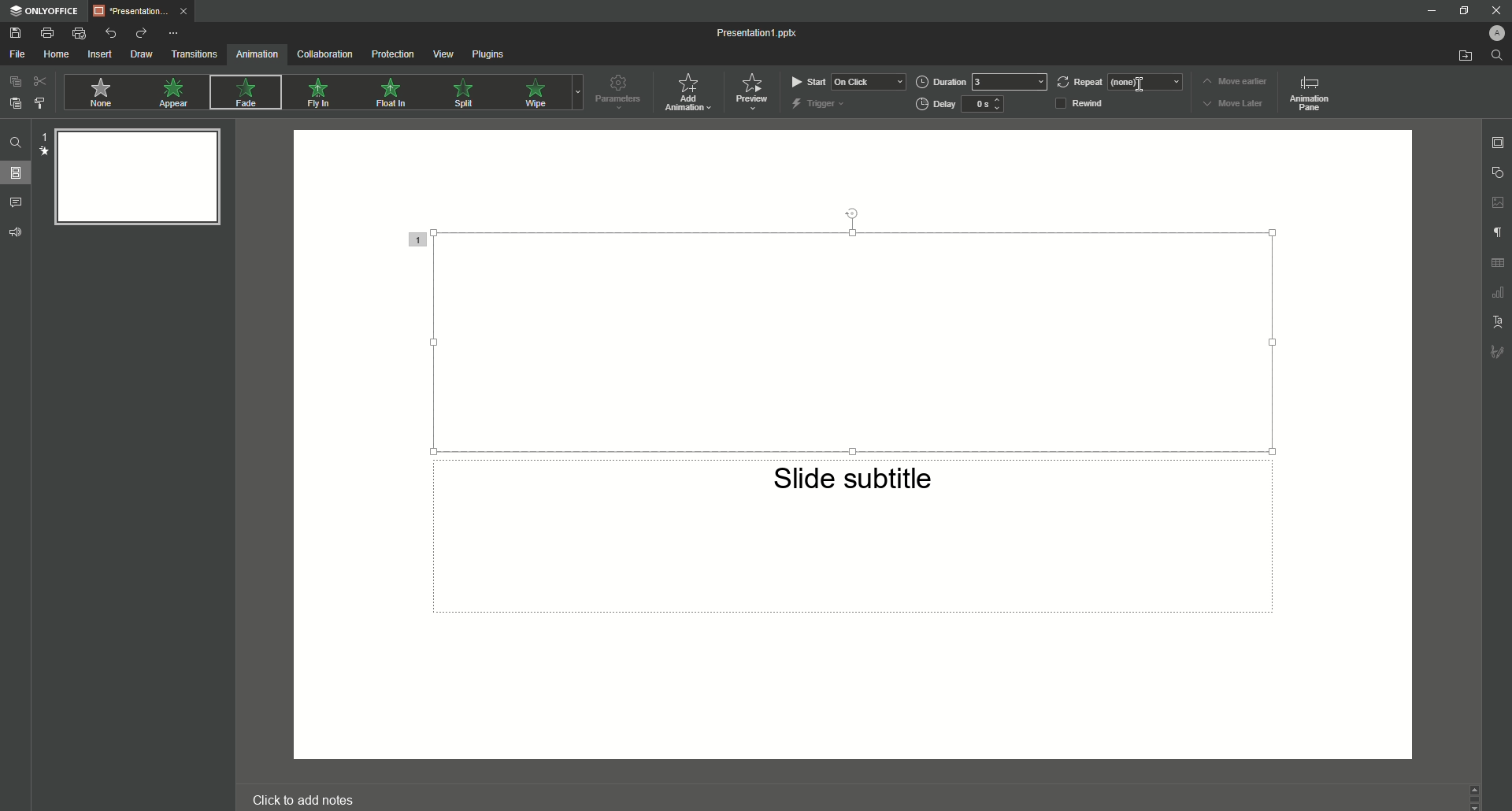 The image size is (1512, 811). What do you see at coordinates (1497, 142) in the screenshot?
I see `Slide settings` at bounding box center [1497, 142].